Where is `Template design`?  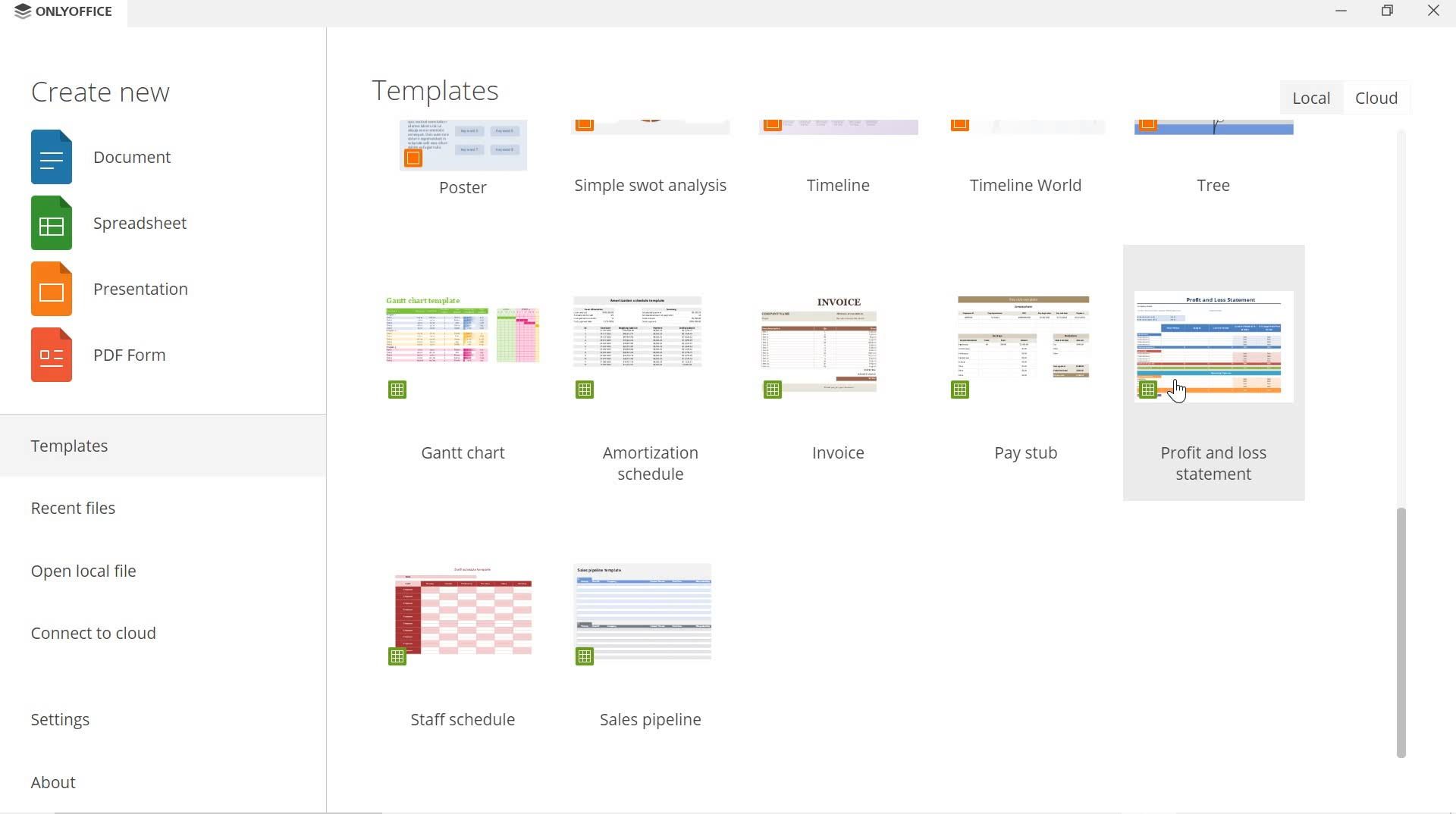 Template design is located at coordinates (645, 618).